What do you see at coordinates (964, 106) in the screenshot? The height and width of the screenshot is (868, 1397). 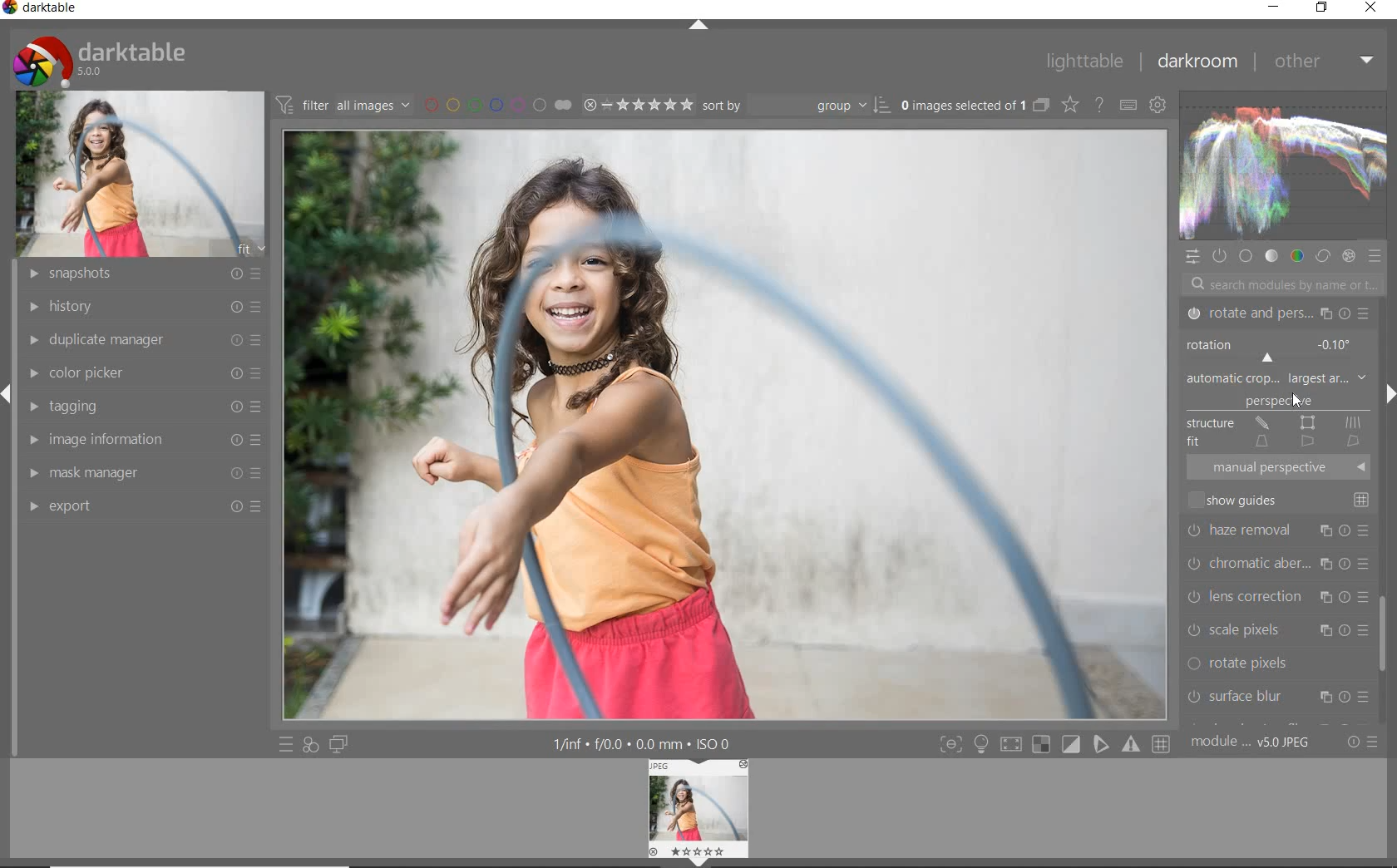 I see `selected images` at bounding box center [964, 106].